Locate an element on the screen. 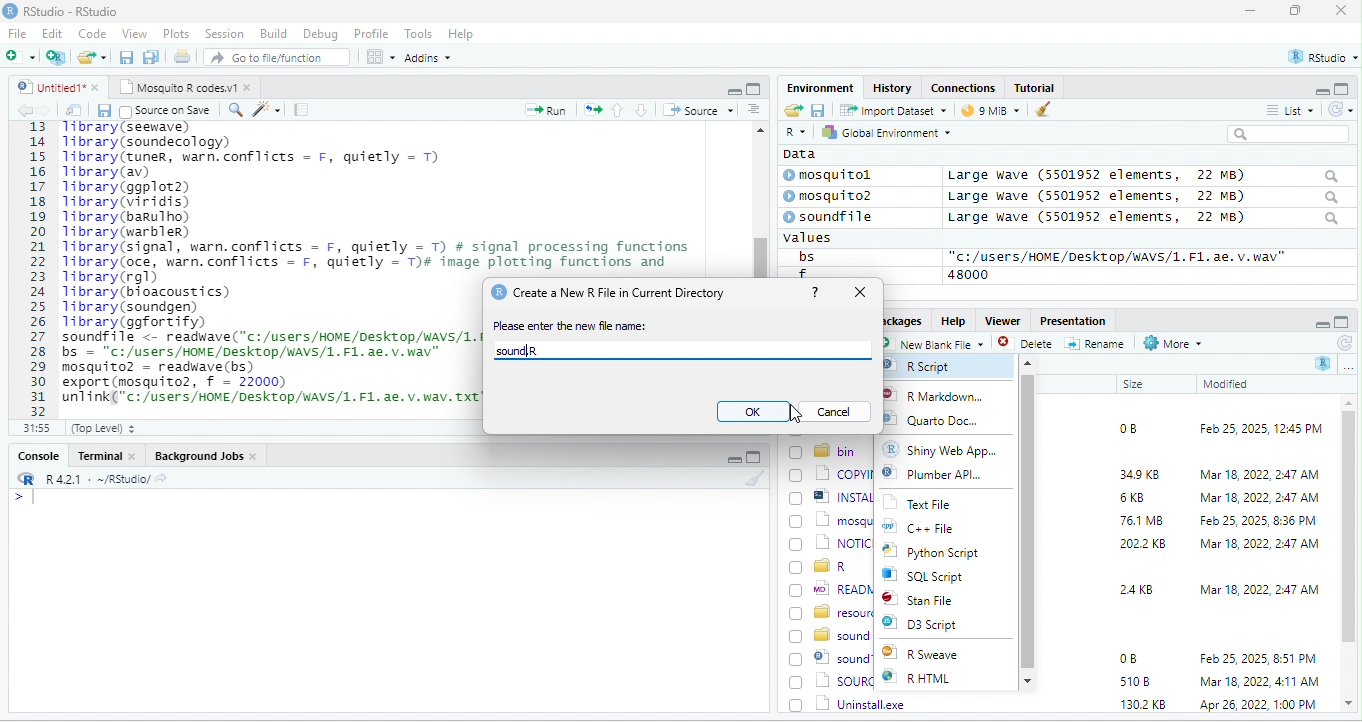 The width and height of the screenshot is (1362, 722). new project is located at coordinates (57, 57).